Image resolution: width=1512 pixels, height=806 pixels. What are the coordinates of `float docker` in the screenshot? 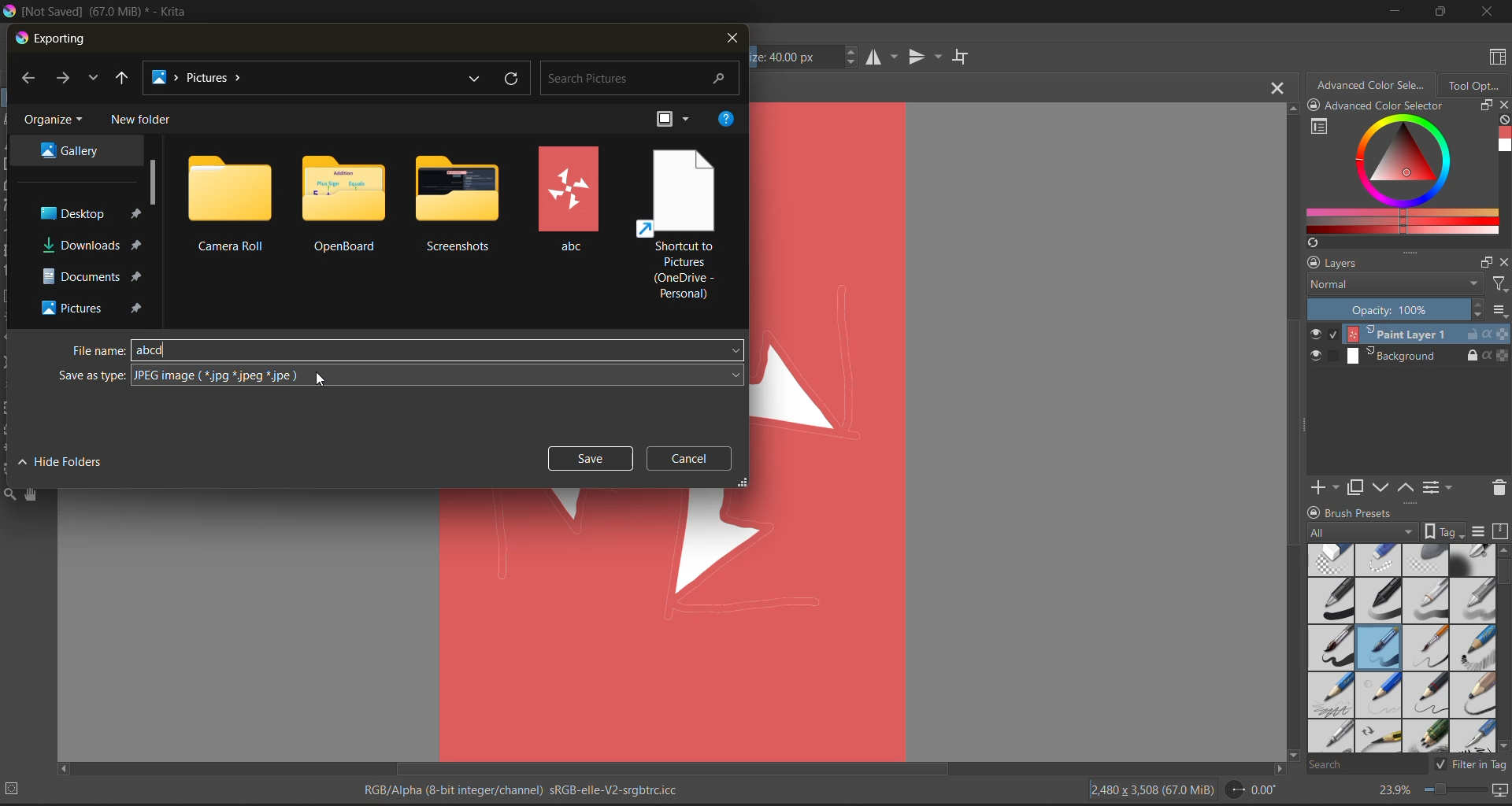 It's located at (1488, 262).